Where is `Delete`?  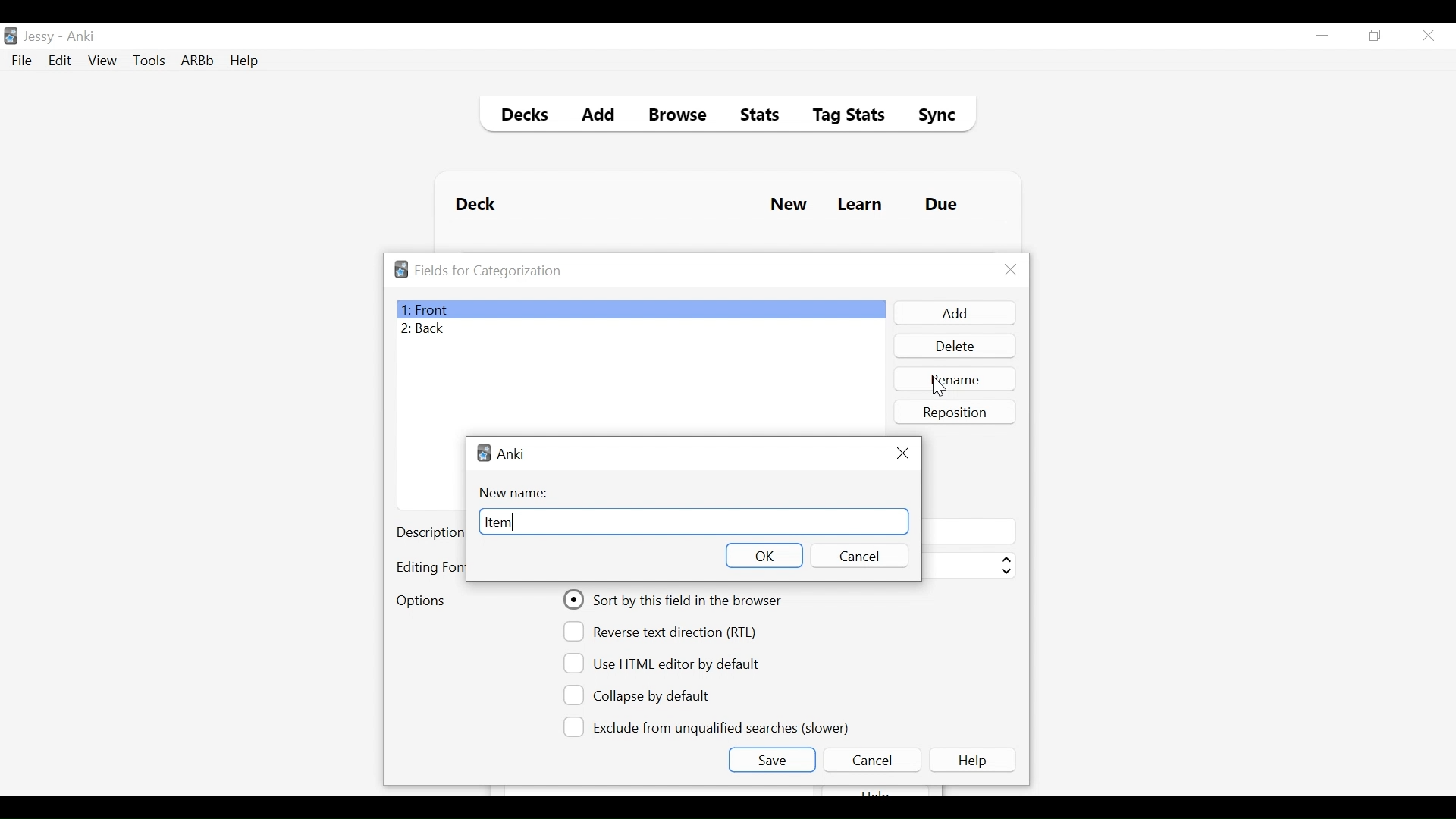 Delete is located at coordinates (954, 347).